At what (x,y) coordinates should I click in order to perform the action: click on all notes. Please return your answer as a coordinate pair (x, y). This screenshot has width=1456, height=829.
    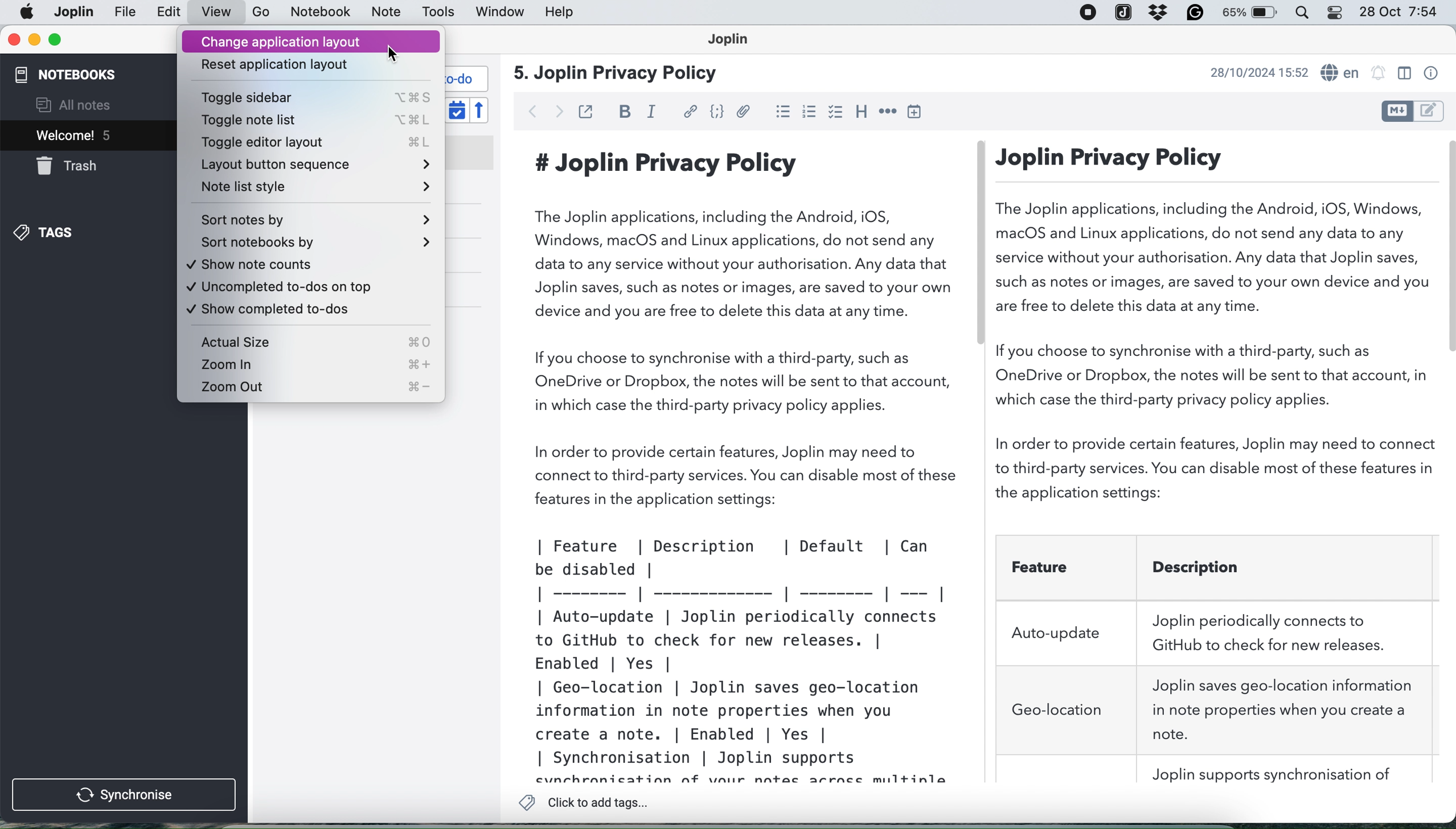
    Looking at the image, I should click on (73, 105).